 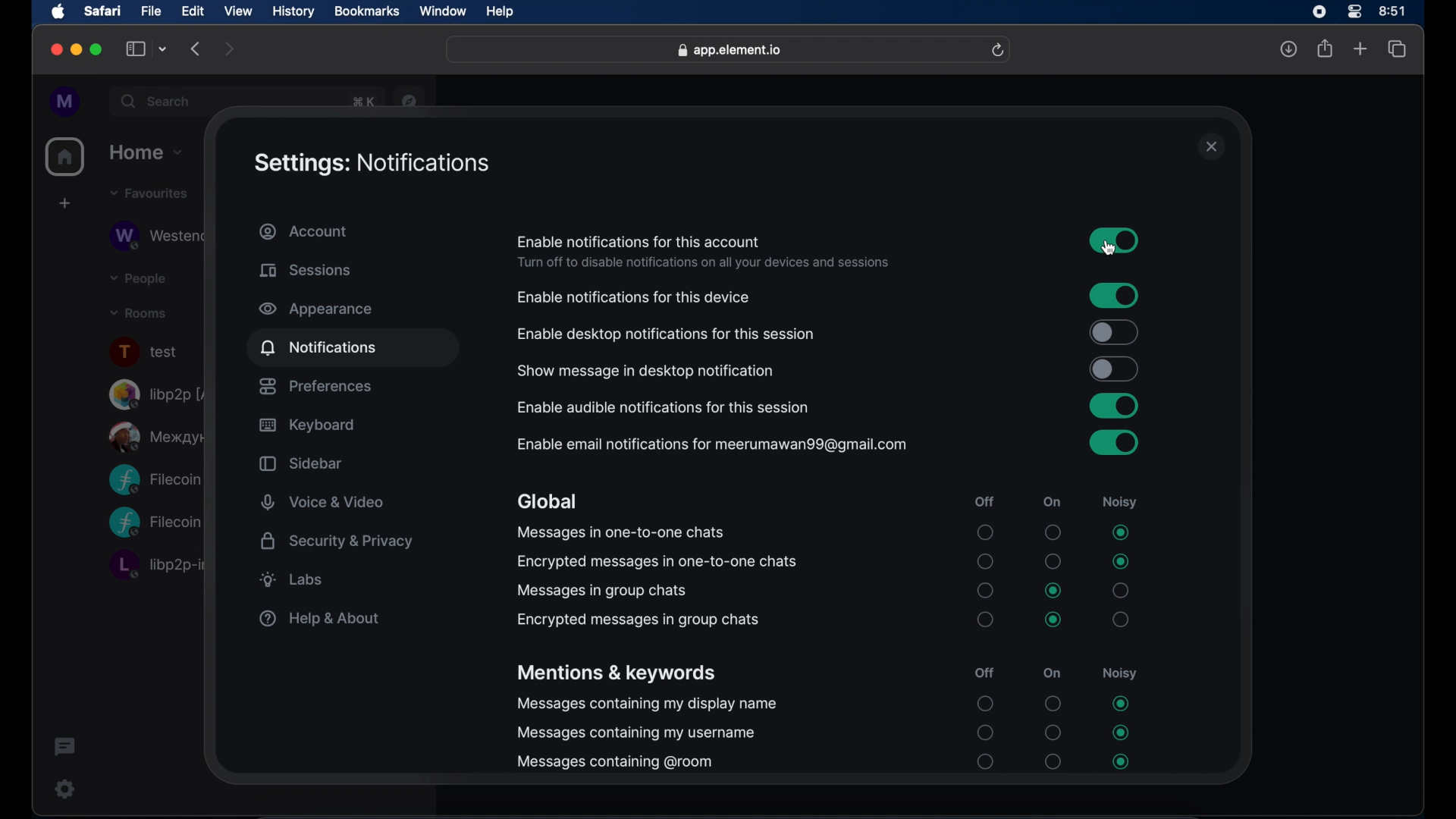 What do you see at coordinates (1114, 406) in the screenshot?
I see `toggle button` at bounding box center [1114, 406].